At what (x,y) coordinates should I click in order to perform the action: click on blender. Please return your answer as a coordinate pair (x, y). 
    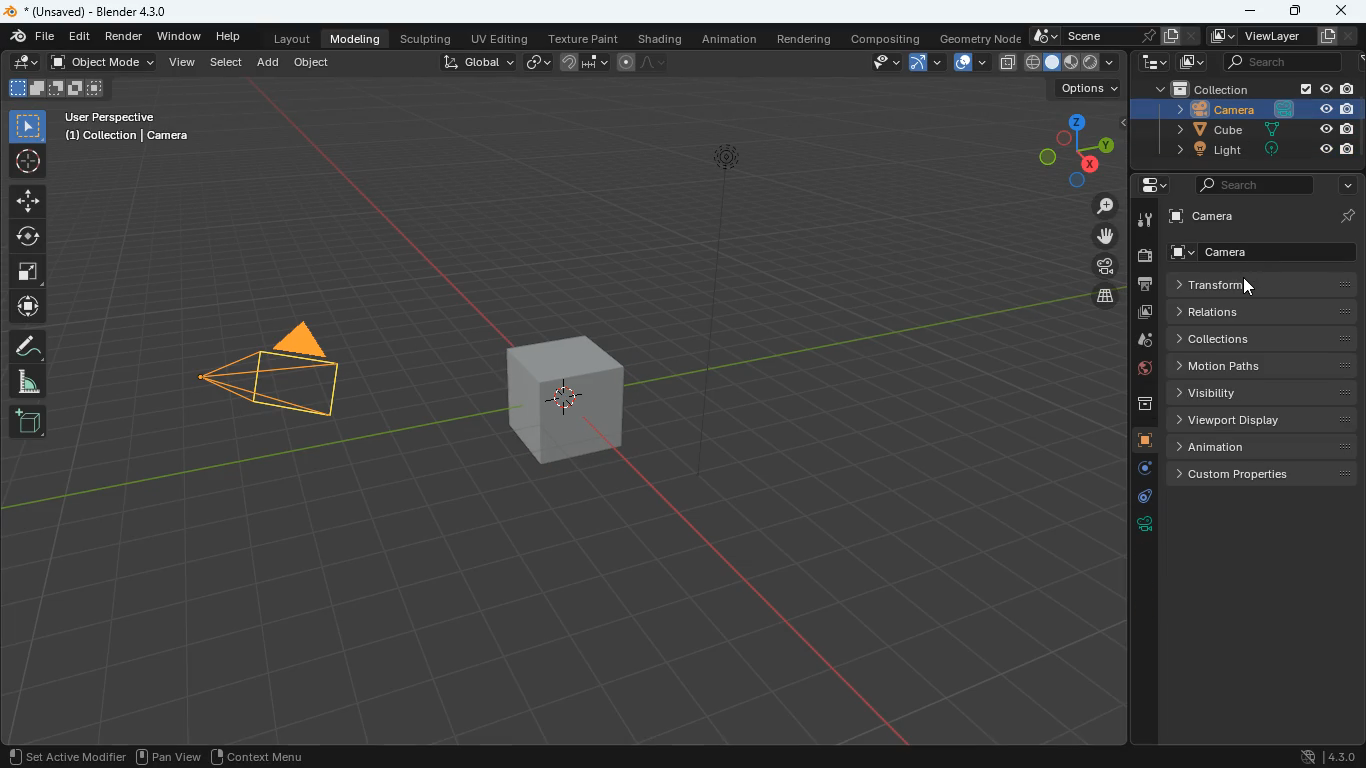
    Looking at the image, I should click on (97, 13).